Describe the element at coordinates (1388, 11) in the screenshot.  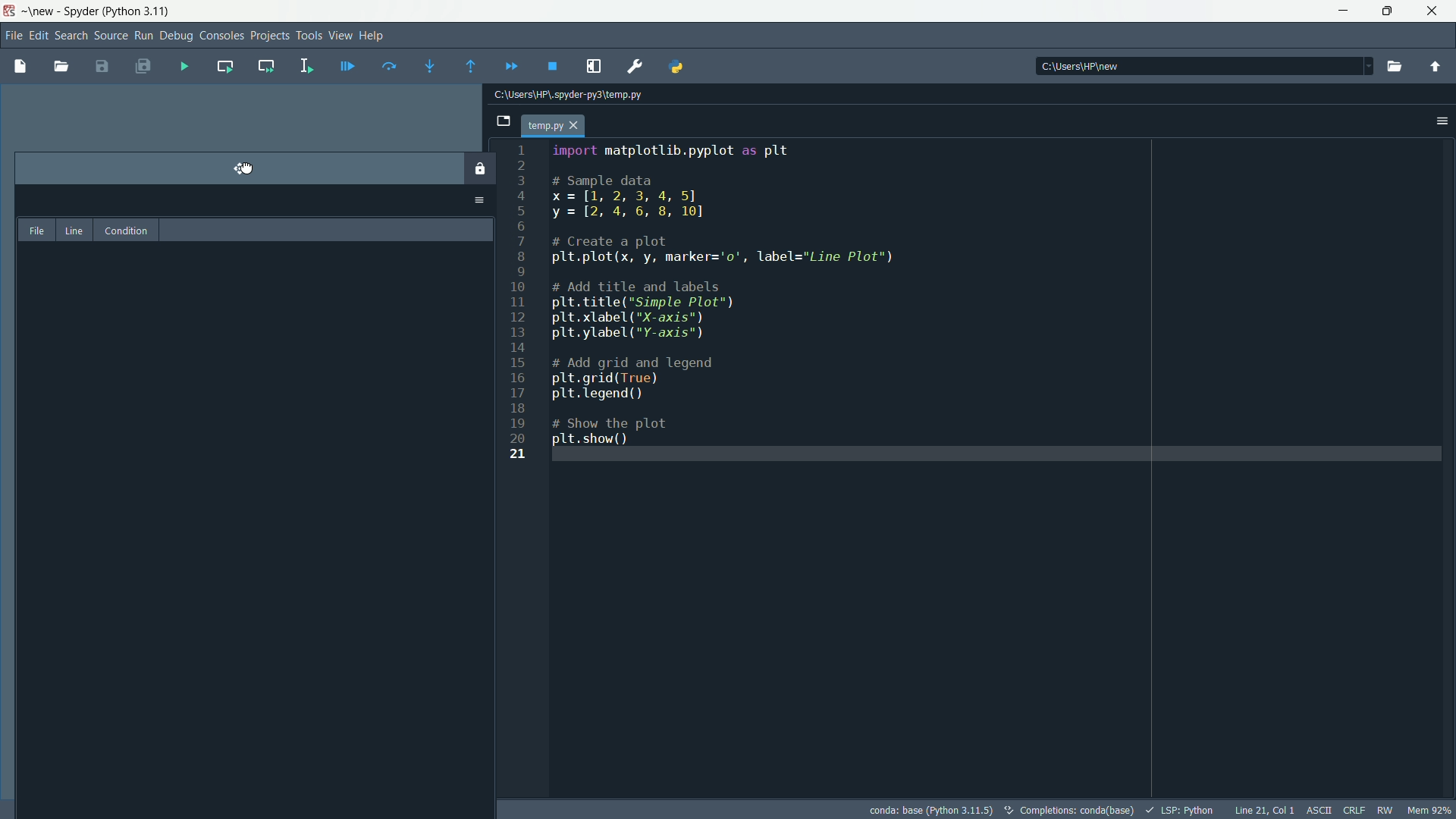
I see `close app` at that location.